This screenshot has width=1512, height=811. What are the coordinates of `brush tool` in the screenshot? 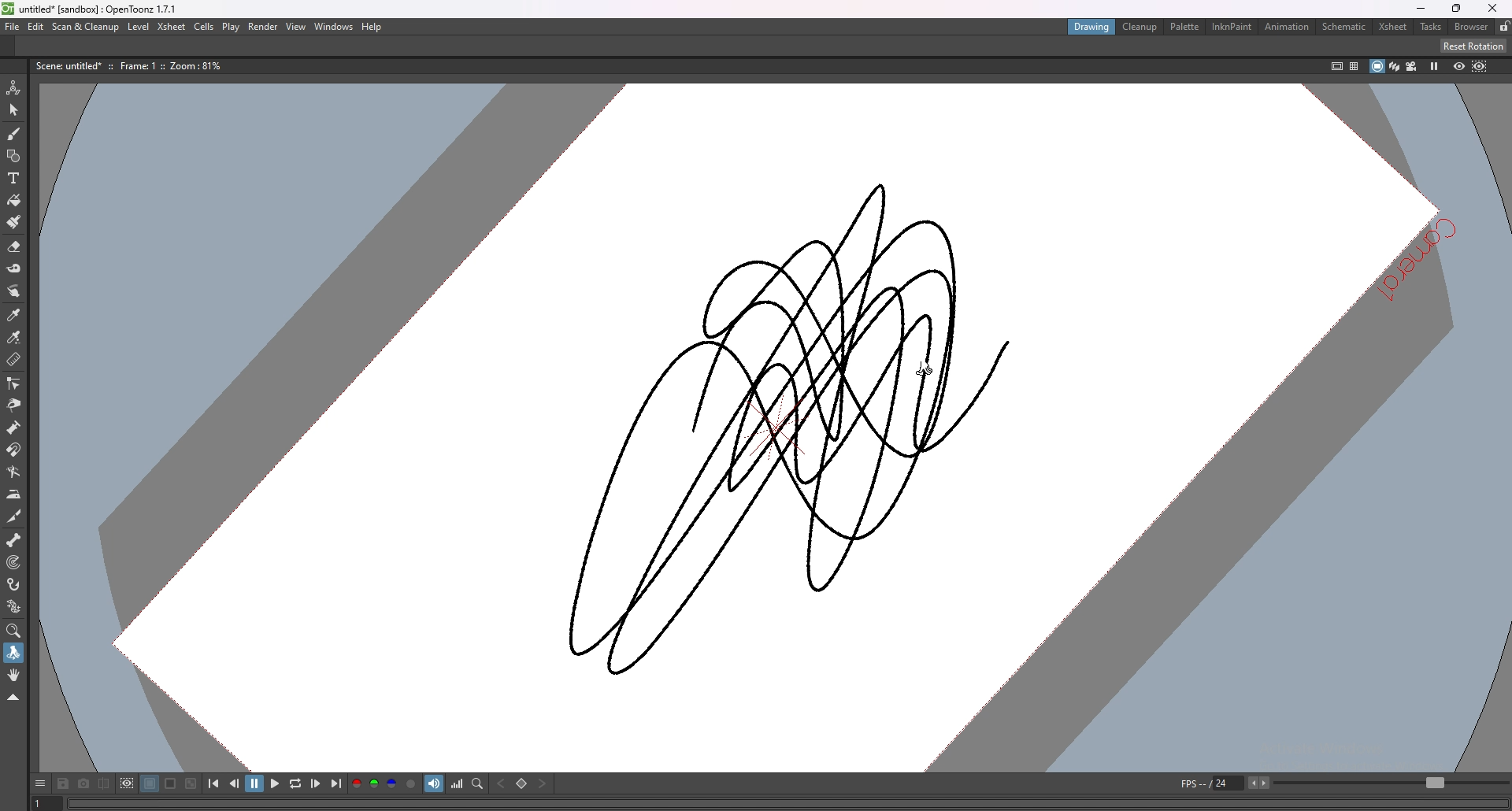 It's located at (13, 133).